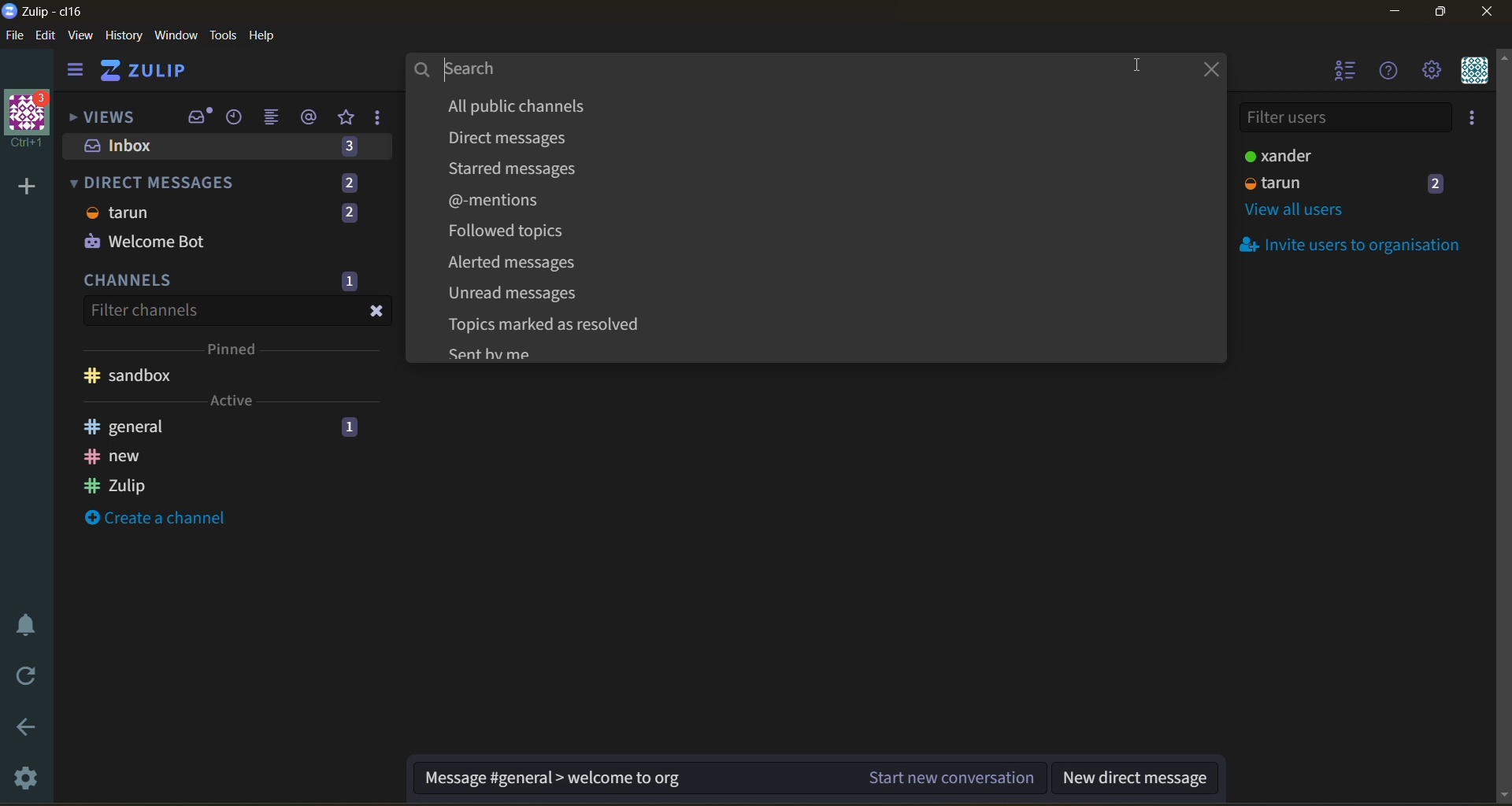  What do you see at coordinates (1432, 71) in the screenshot?
I see `settings` at bounding box center [1432, 71].